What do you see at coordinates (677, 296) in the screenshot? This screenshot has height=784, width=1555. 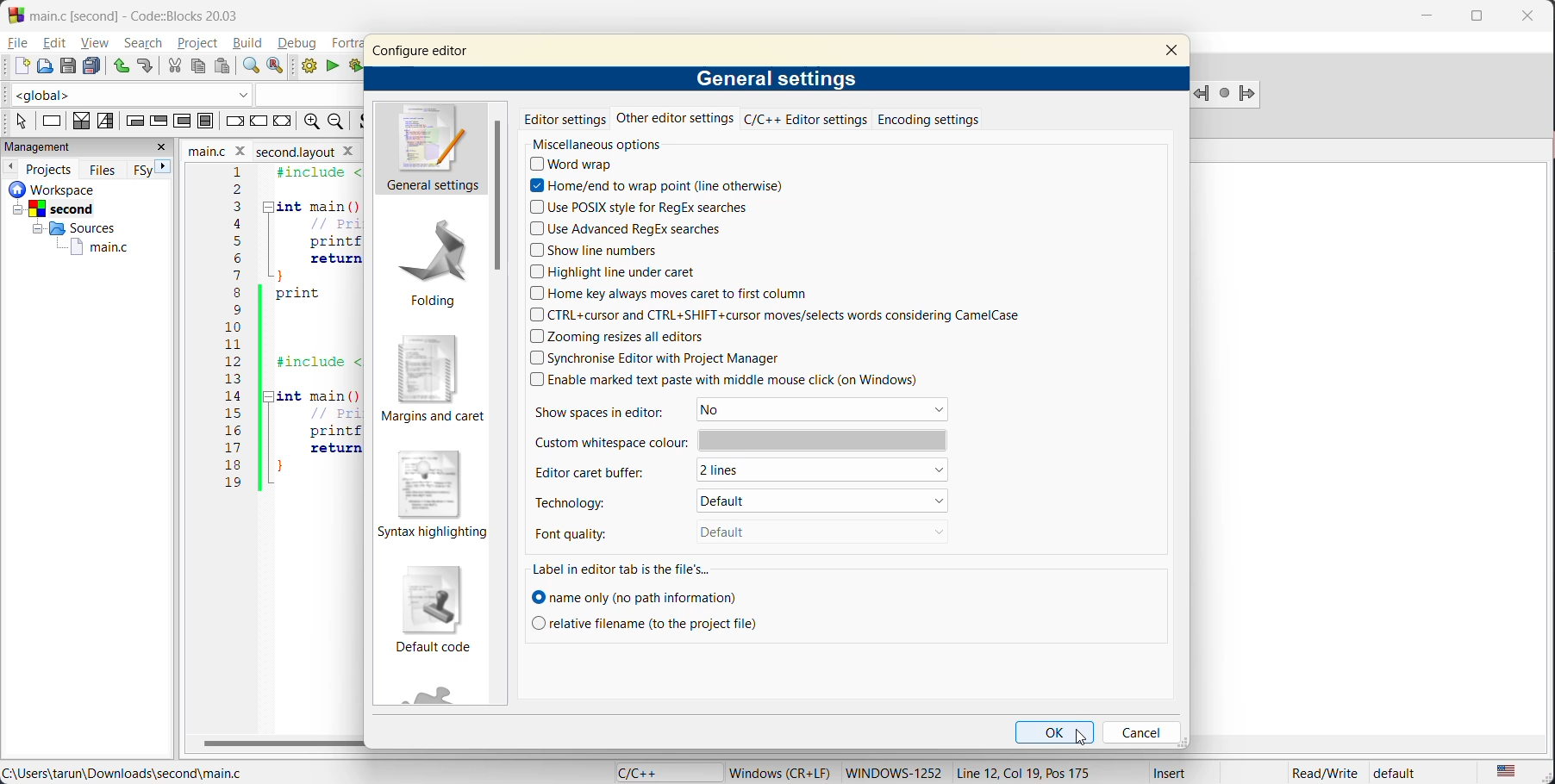 I see `home key always moves caret to first  column` at bounding box center [677, 296].